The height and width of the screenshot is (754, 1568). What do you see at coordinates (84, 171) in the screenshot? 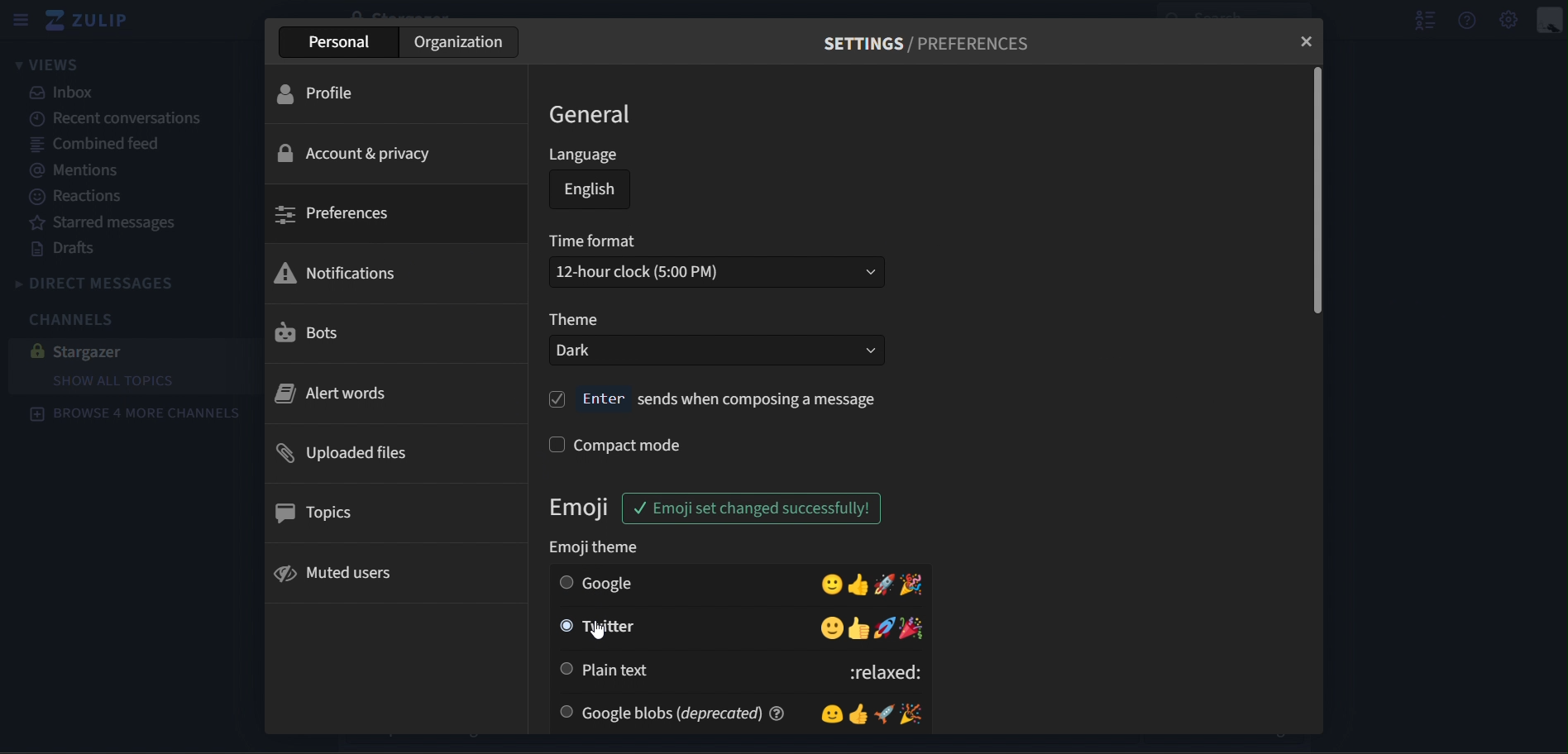
I see `mentions` at bounding box center [84, 171].